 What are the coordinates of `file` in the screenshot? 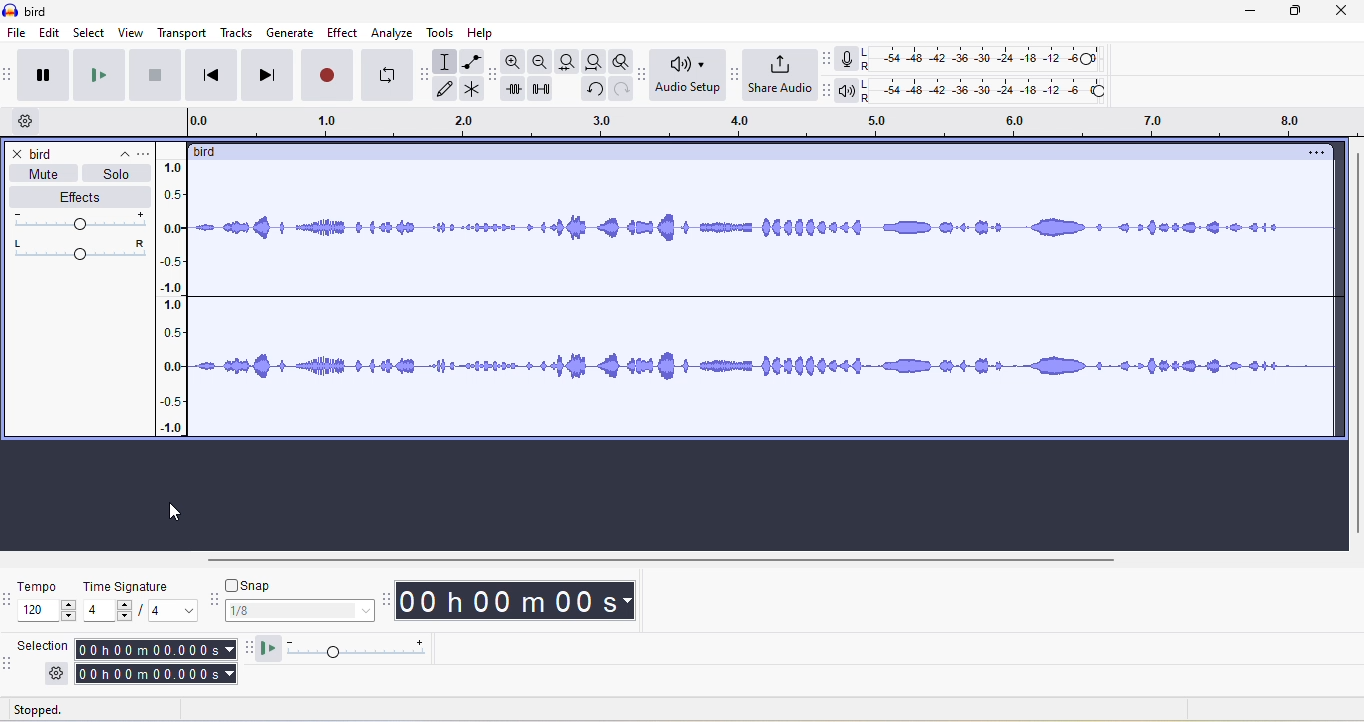 It's located at (15, 33).